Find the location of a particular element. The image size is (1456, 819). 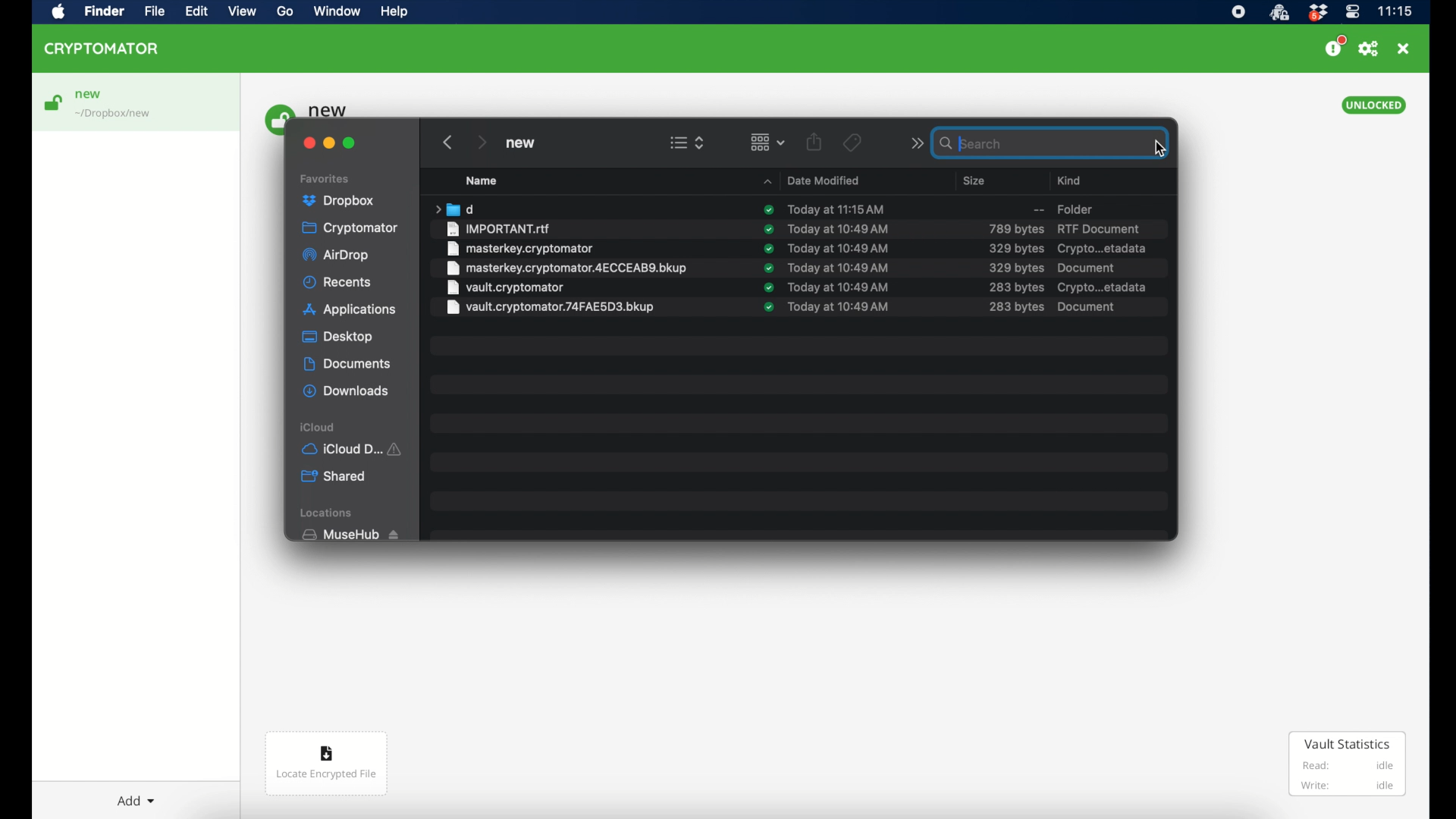

iCloud is located at coordinates (354, 449).